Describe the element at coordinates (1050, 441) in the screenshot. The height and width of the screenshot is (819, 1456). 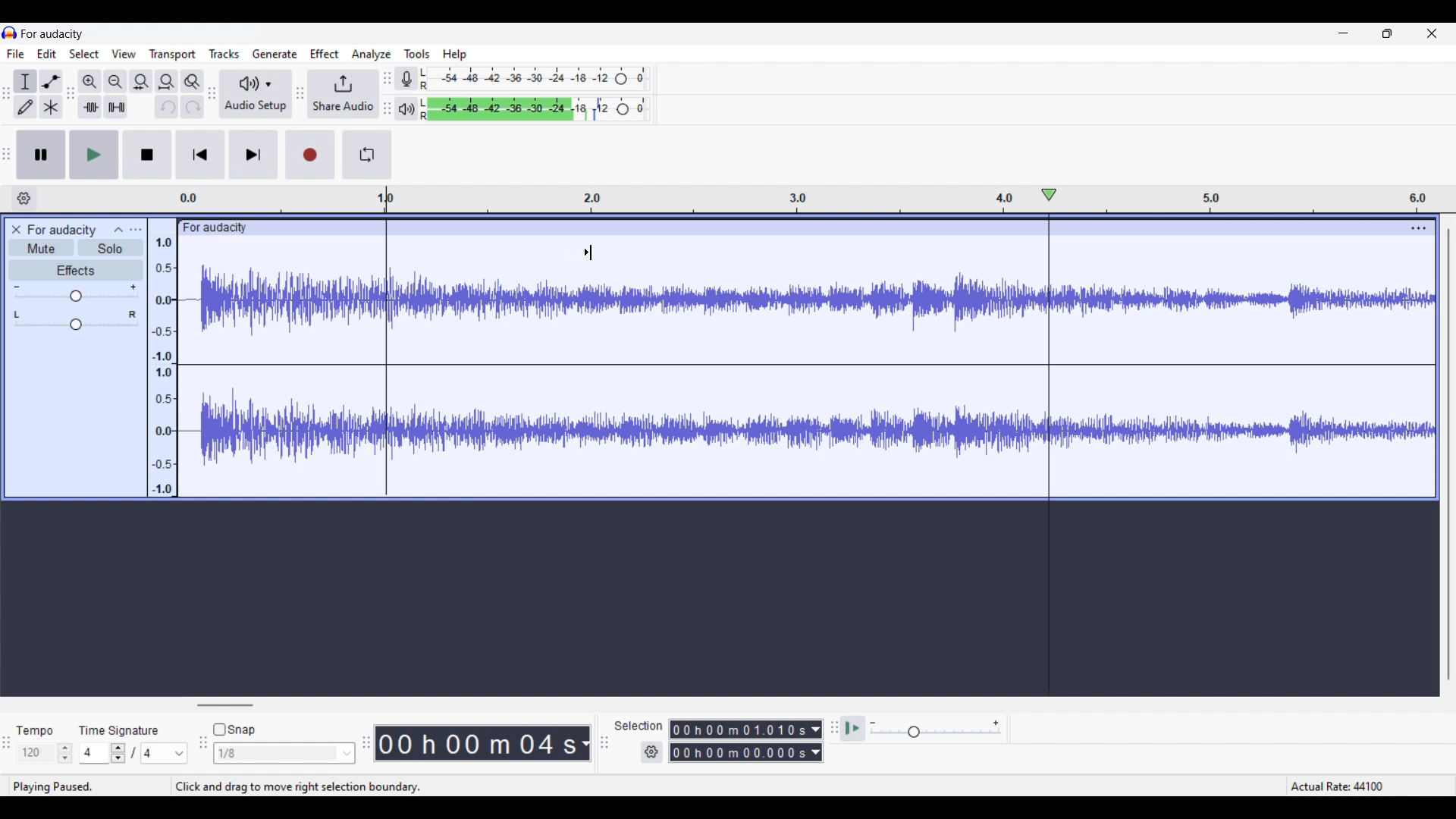
I see `Playhead` at that location.